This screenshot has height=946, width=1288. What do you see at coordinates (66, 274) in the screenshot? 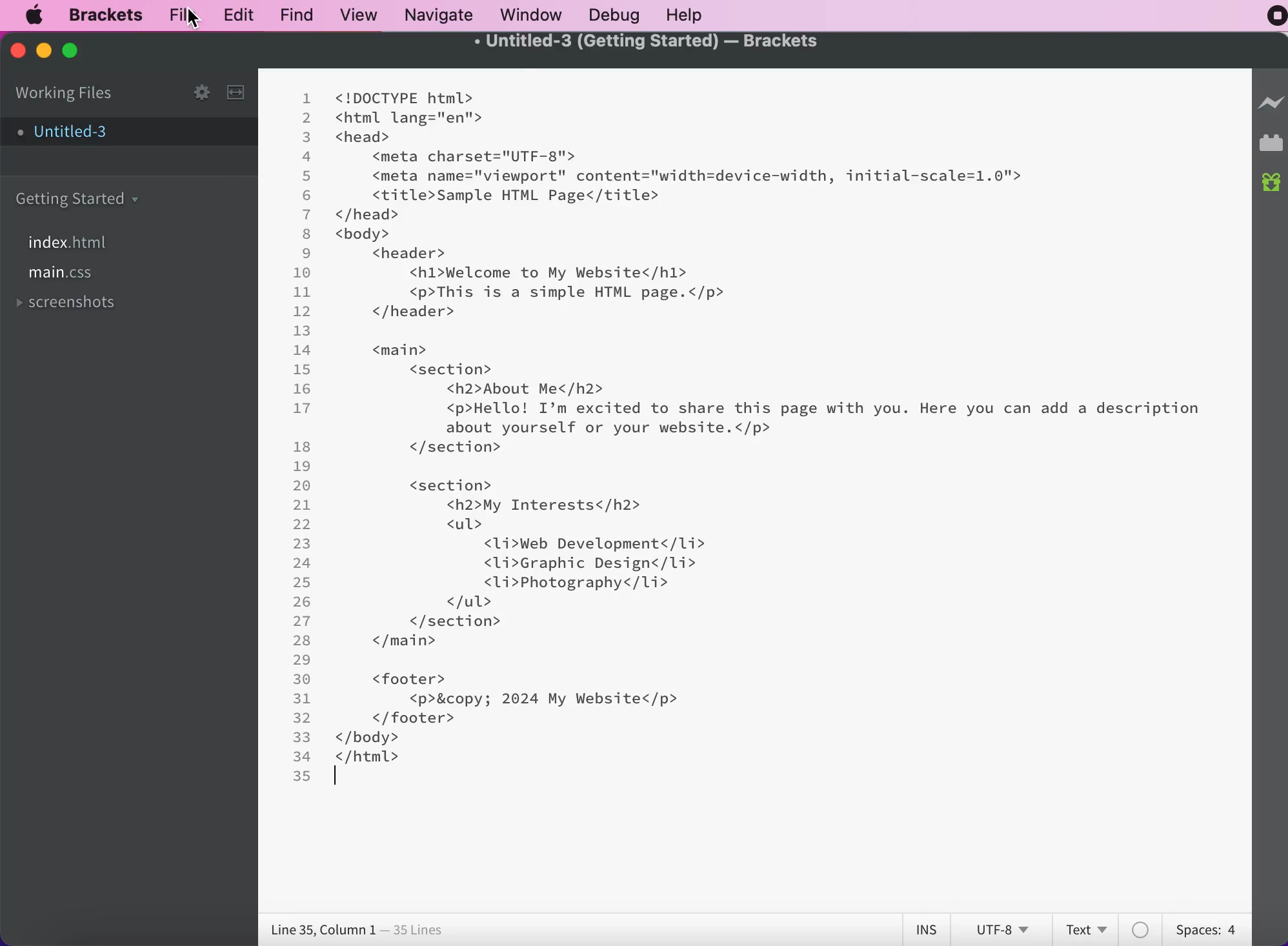
I see `file main.css` at bounding box center [66, 274].